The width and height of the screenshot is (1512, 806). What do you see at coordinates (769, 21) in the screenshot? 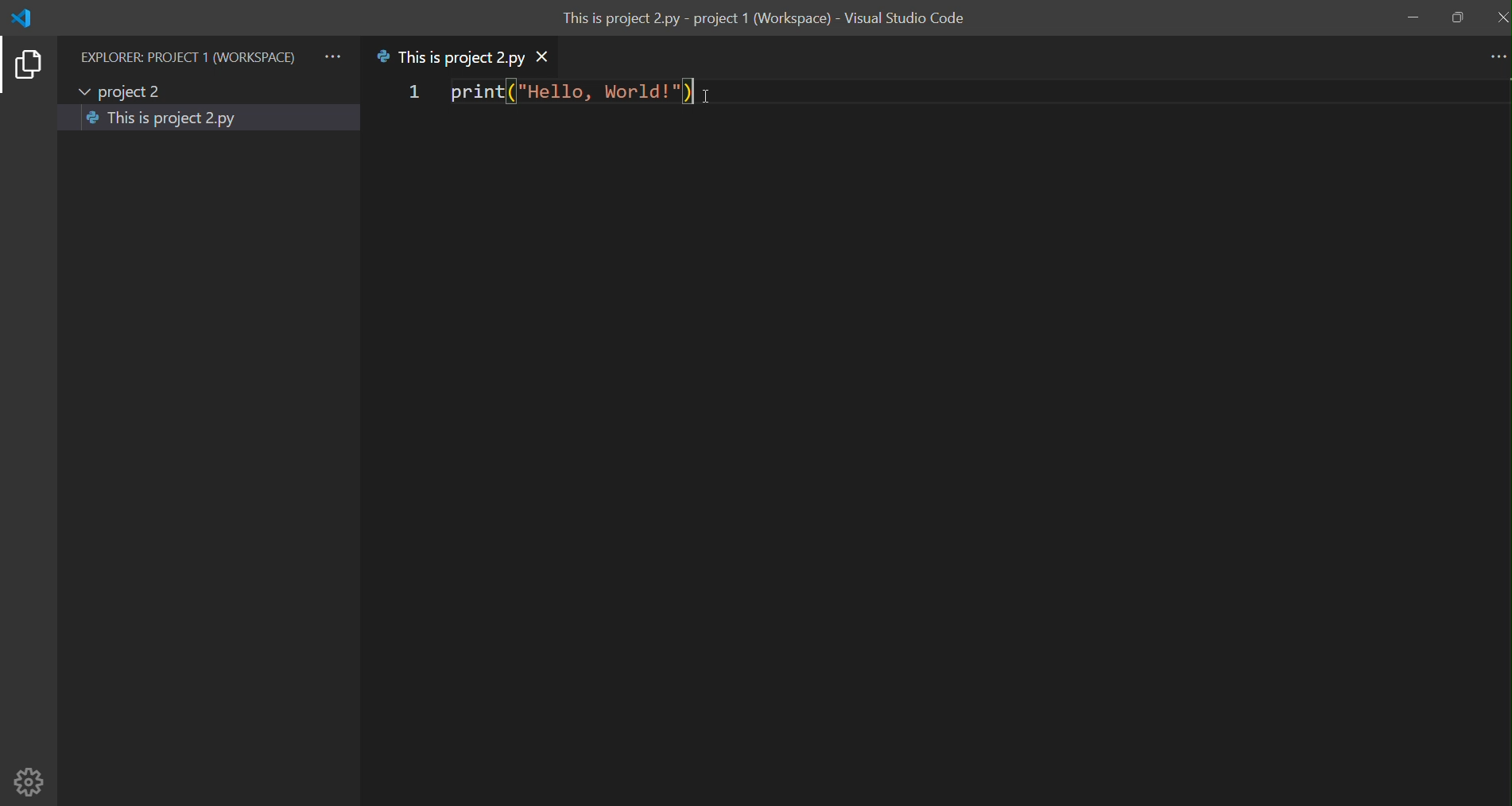
I see `title` at bounding box center [769, 21].